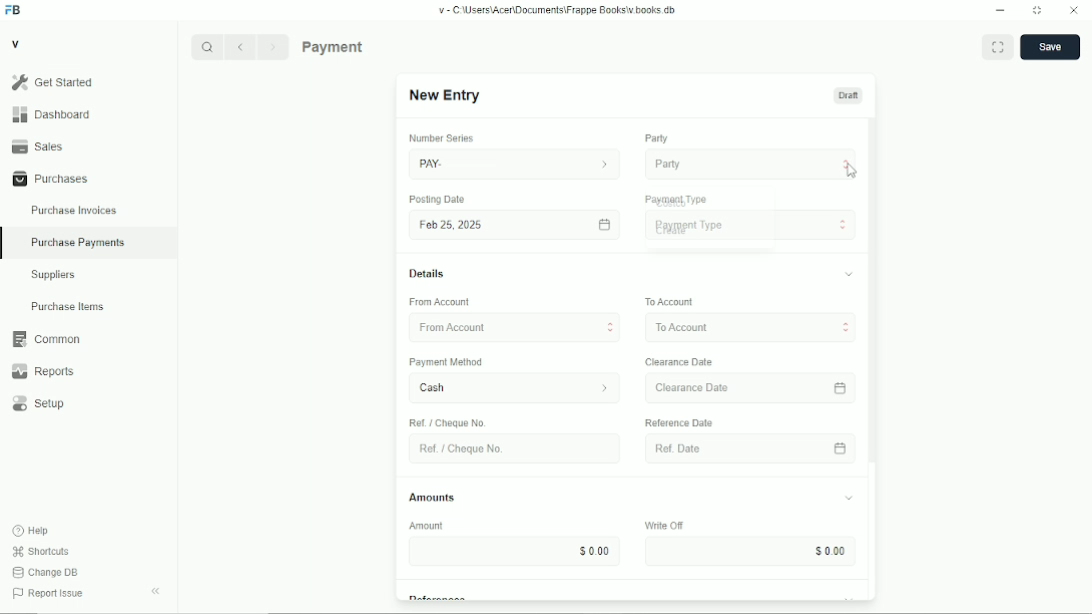 Image resolution: width=1092 pixels, height=614 pixels. What do you see at coordinates (427, 274) in the screenshot?
I see `Details` at bounding box center [427, 274].